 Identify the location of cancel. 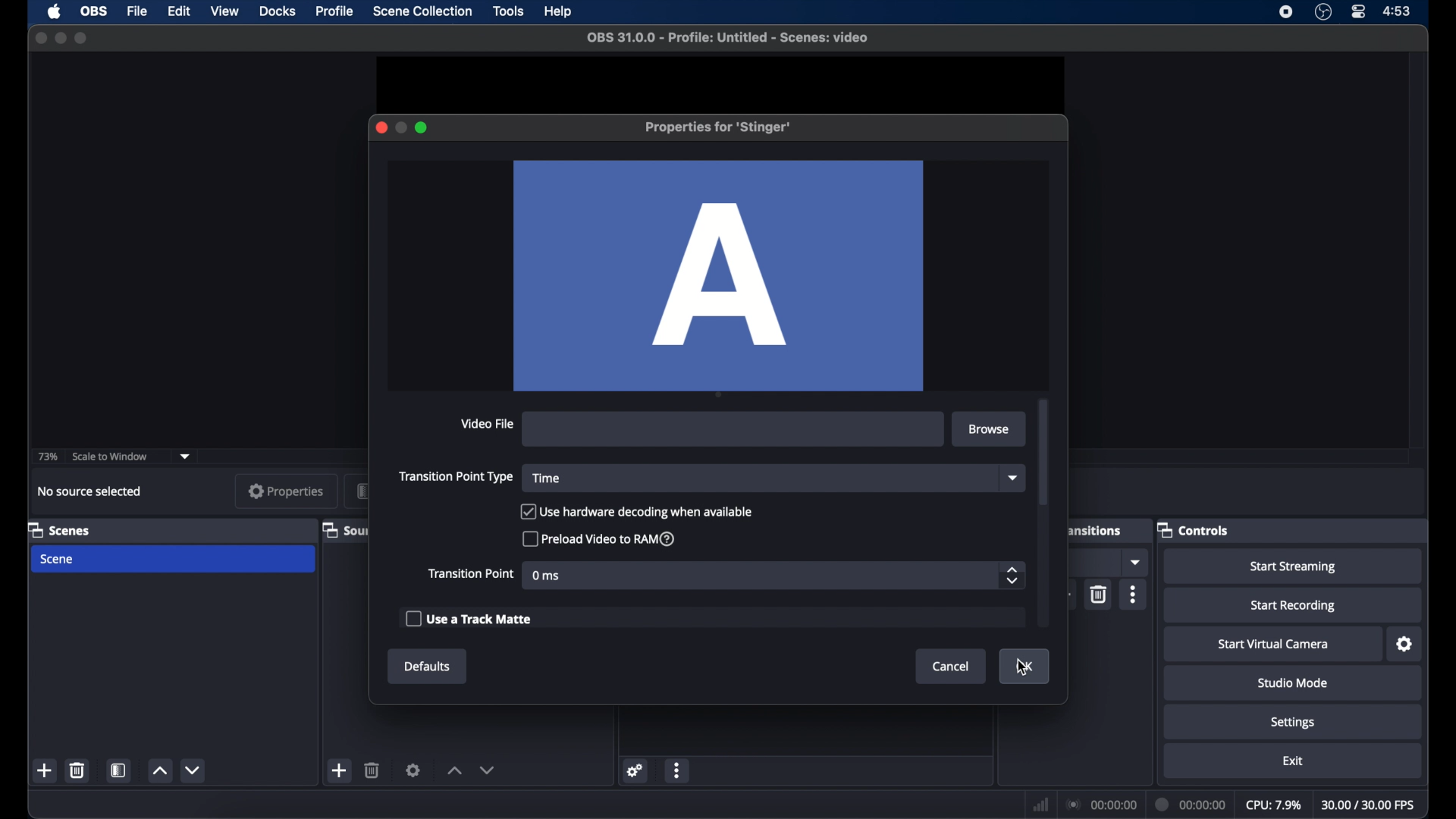
(952, 667).